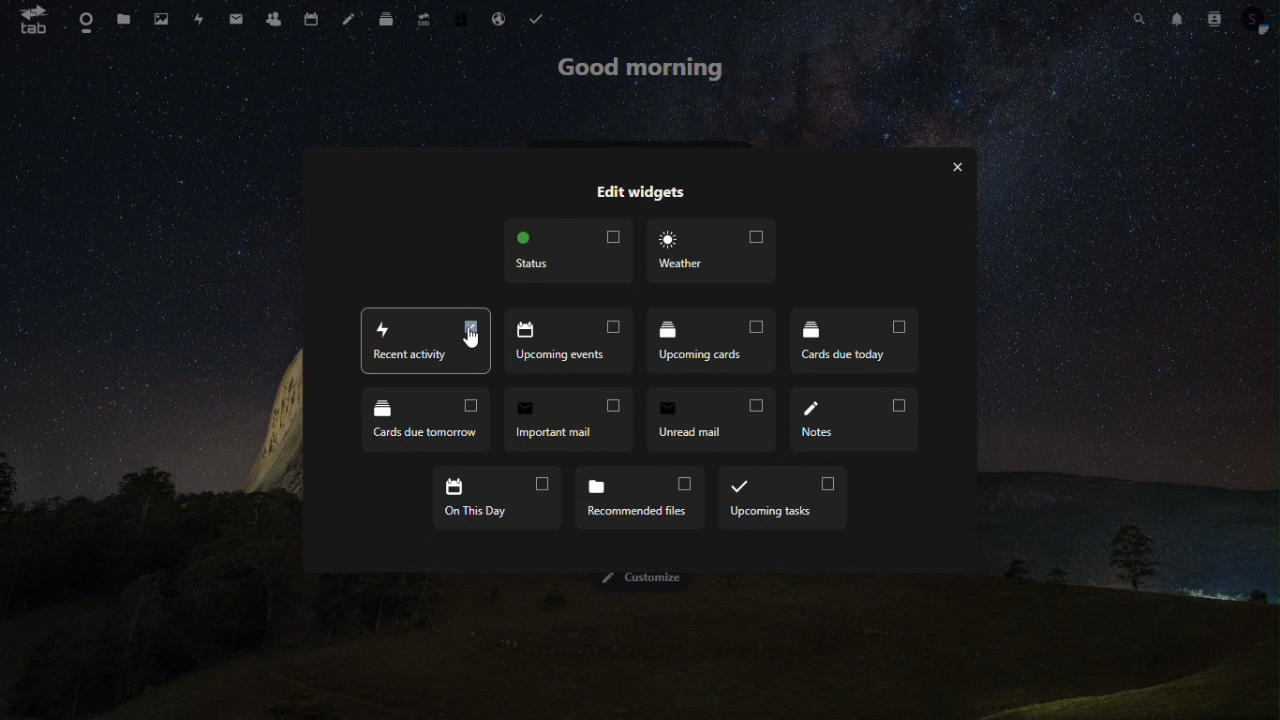  I want to click on search, so click(1138, 17).